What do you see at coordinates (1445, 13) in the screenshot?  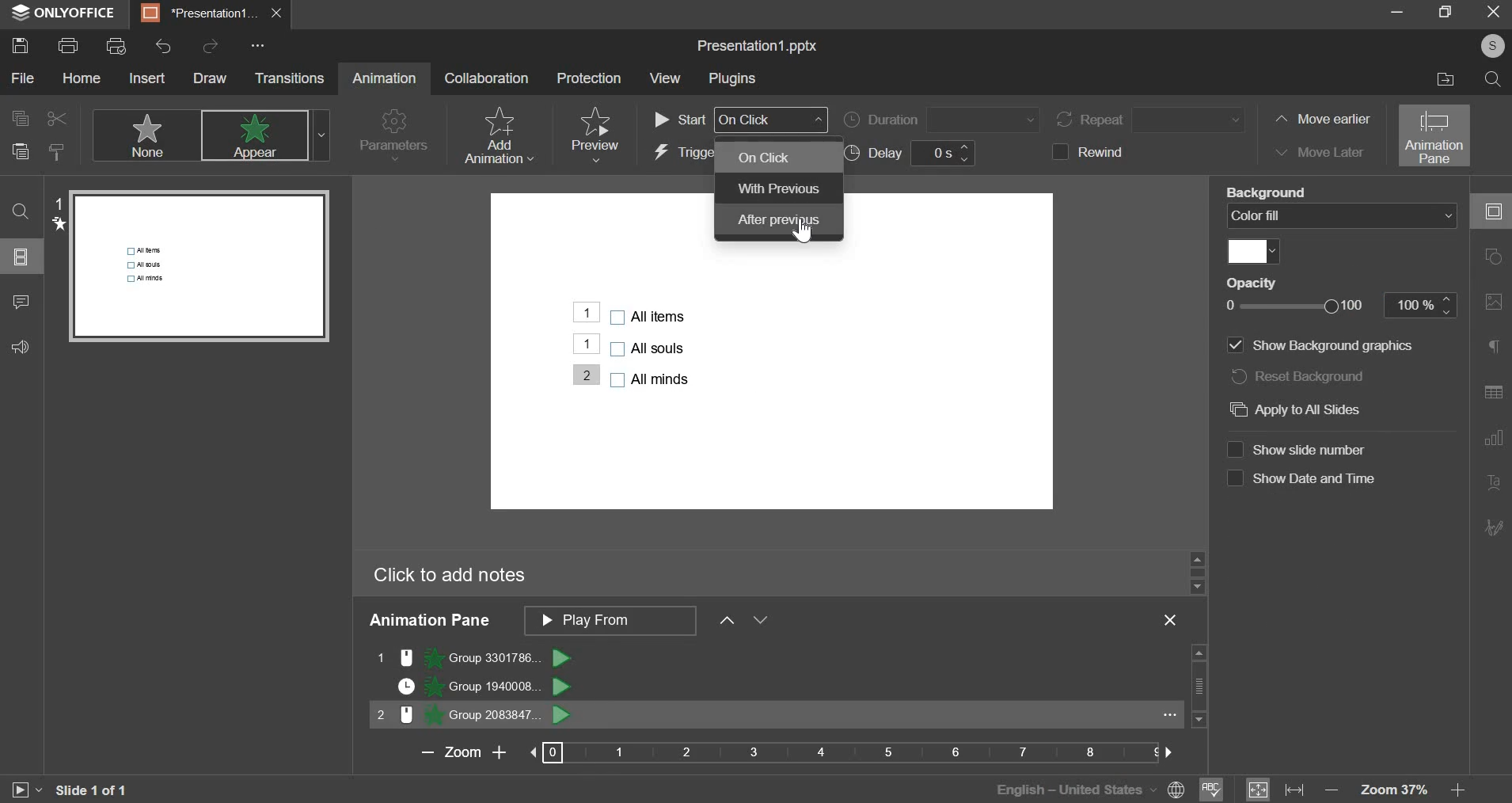 I see `maximize` at bounding box center [1445, 13].